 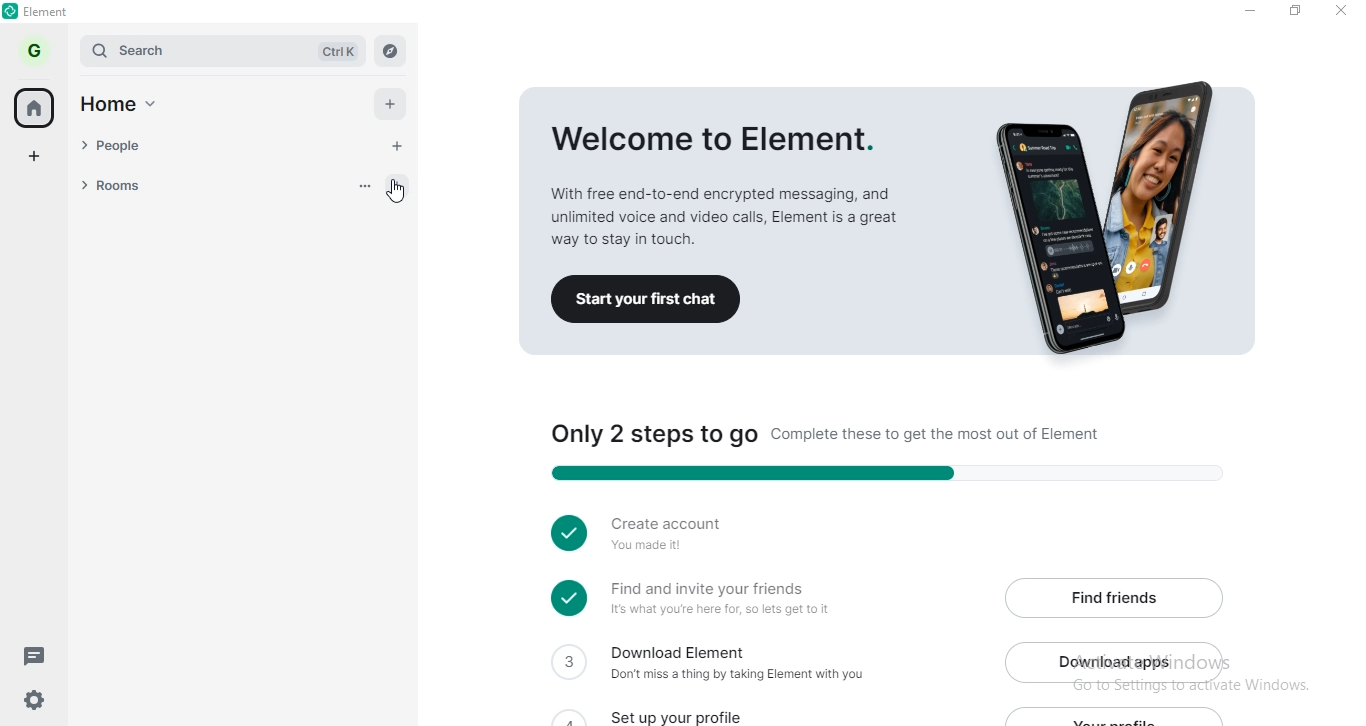 I want to click on start chat, so click(x=400, y=146).